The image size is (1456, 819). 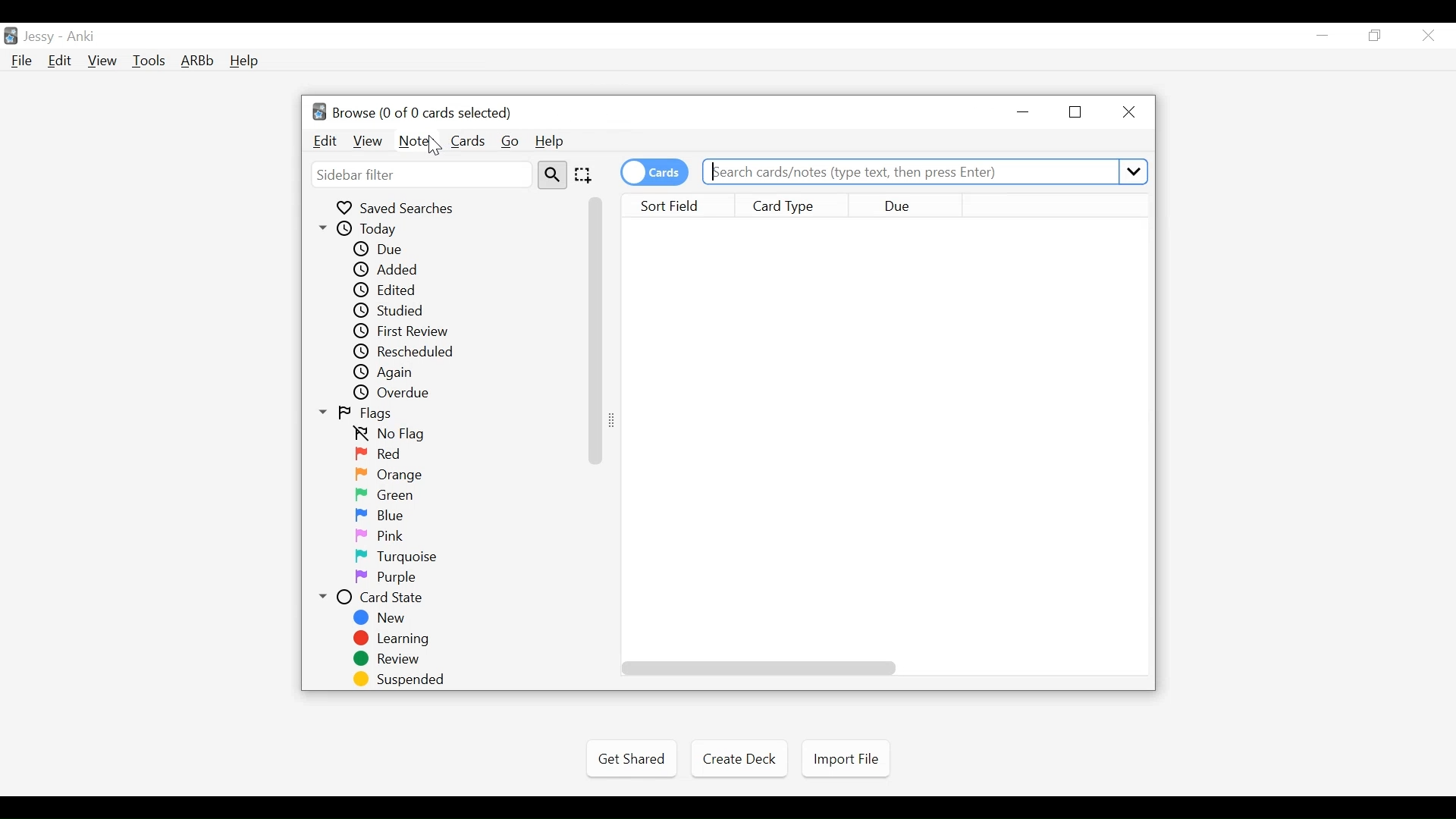 I want to click on Overdue, so click(x=395, y=392).